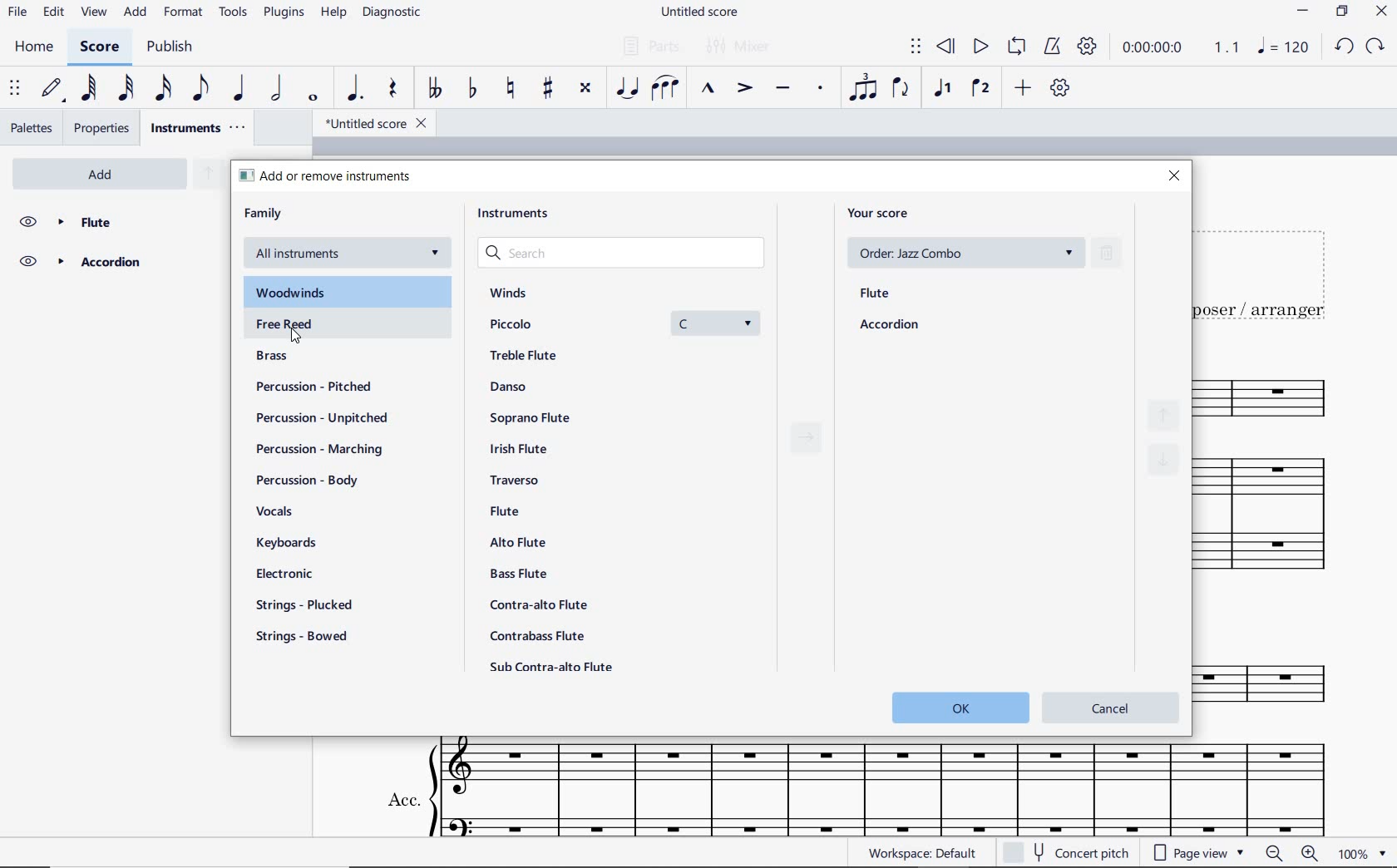 Image resolution: width=1397 pixels, height=868 pixels. I want to click on add, so click(1021, 89).